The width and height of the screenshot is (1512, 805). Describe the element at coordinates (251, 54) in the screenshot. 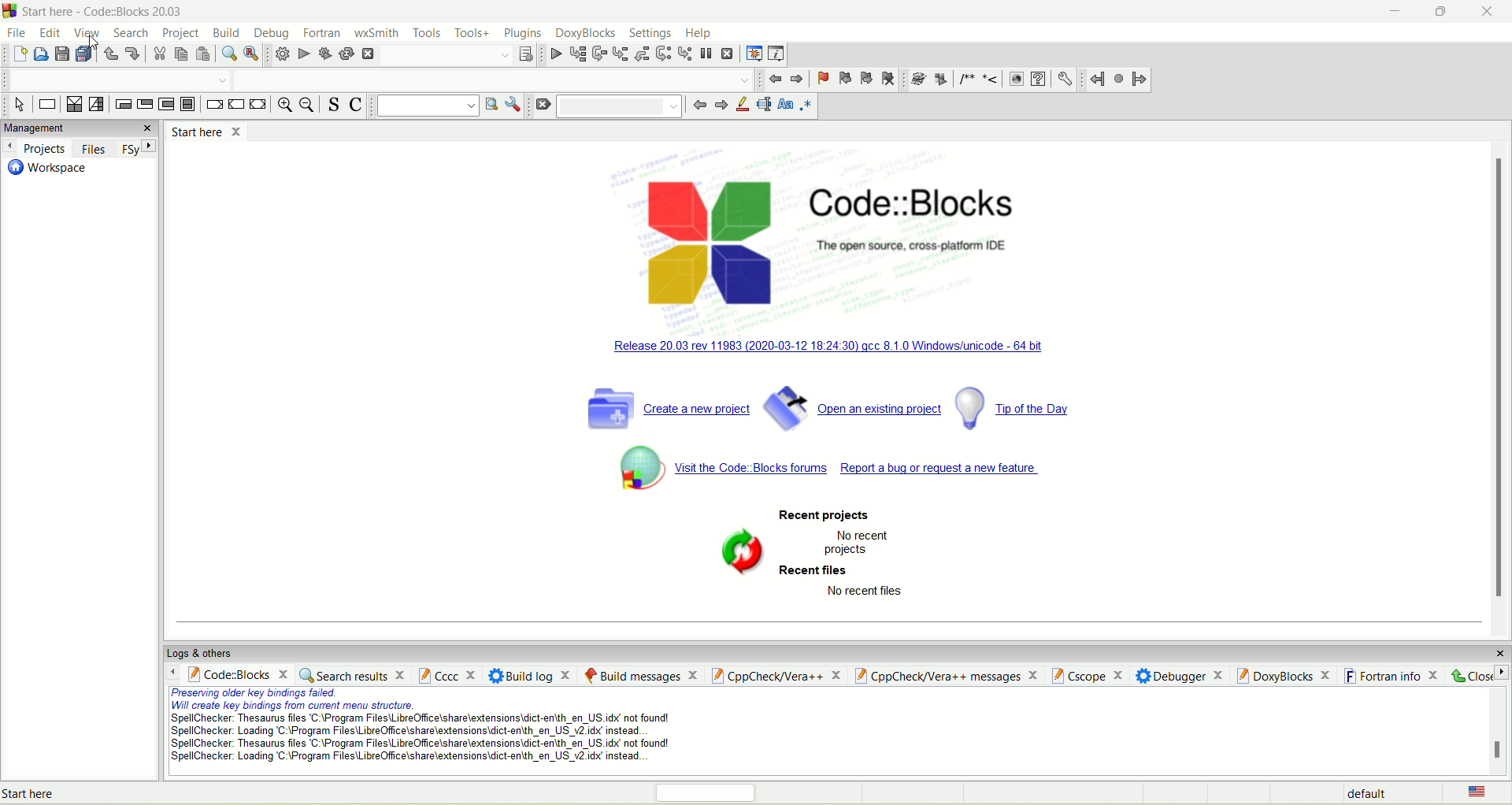

I see `replace` at that location.